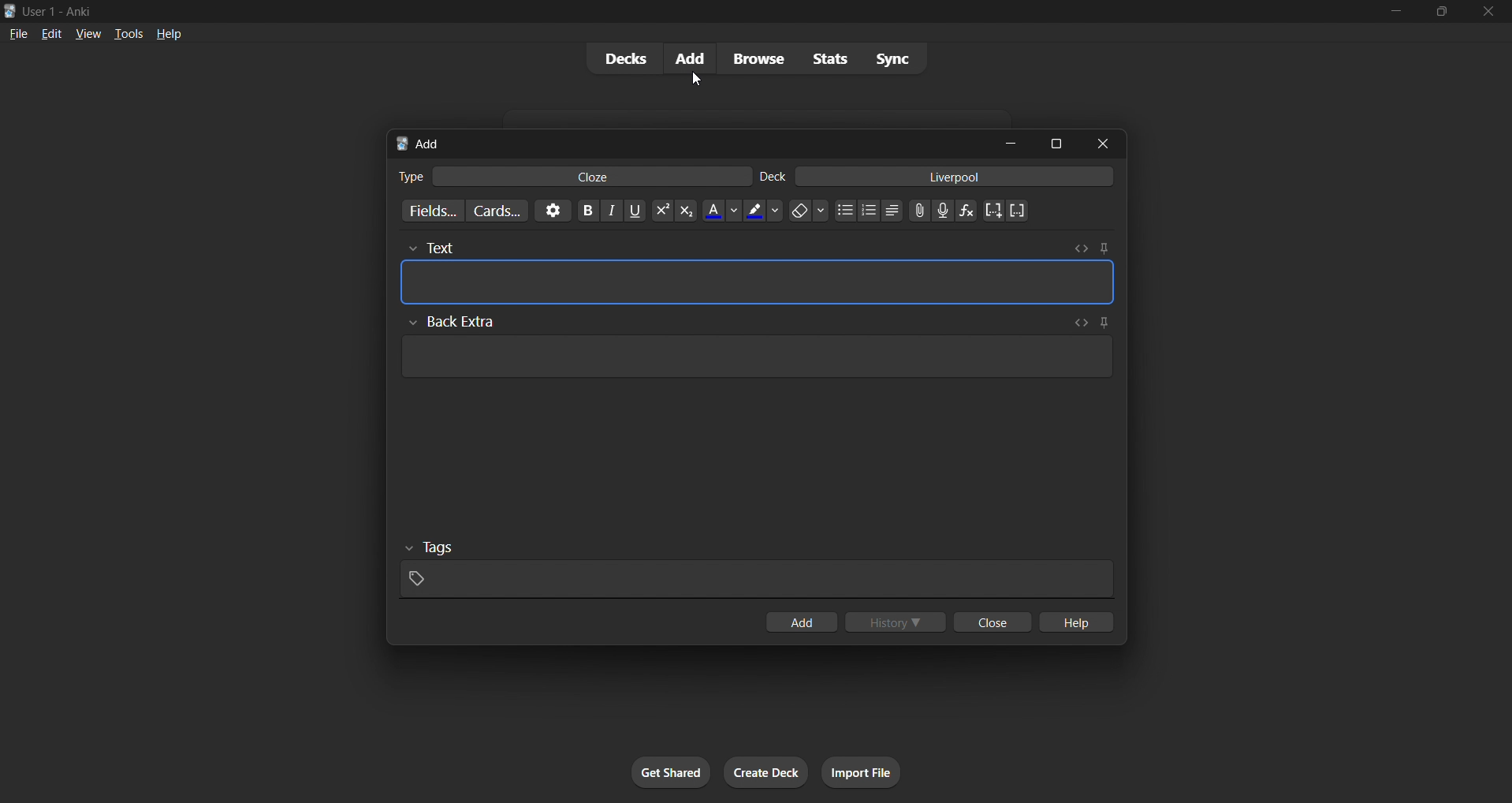  I want to click on close, so click(1101, 142).